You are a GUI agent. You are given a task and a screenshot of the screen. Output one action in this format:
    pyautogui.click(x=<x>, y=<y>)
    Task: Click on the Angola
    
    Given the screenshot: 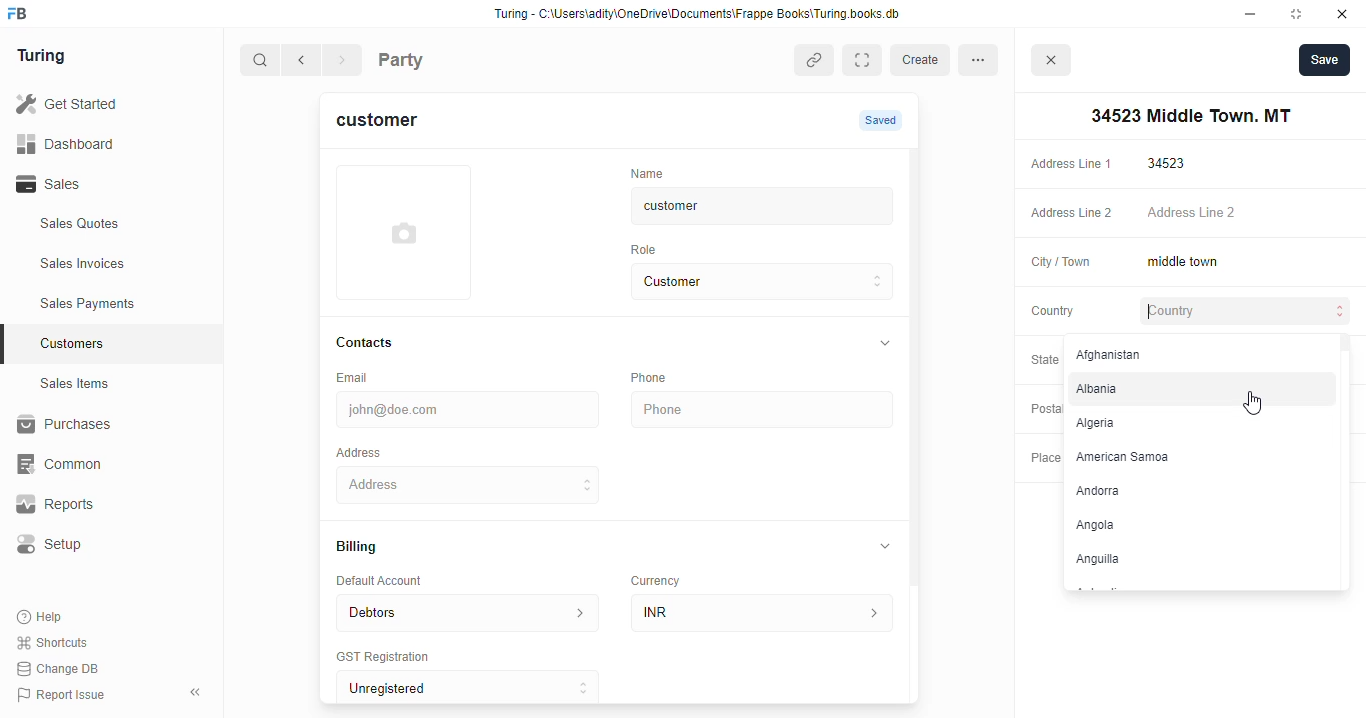 What is the action you would take?
    pyautogui.click(x=1192, y=524)
    